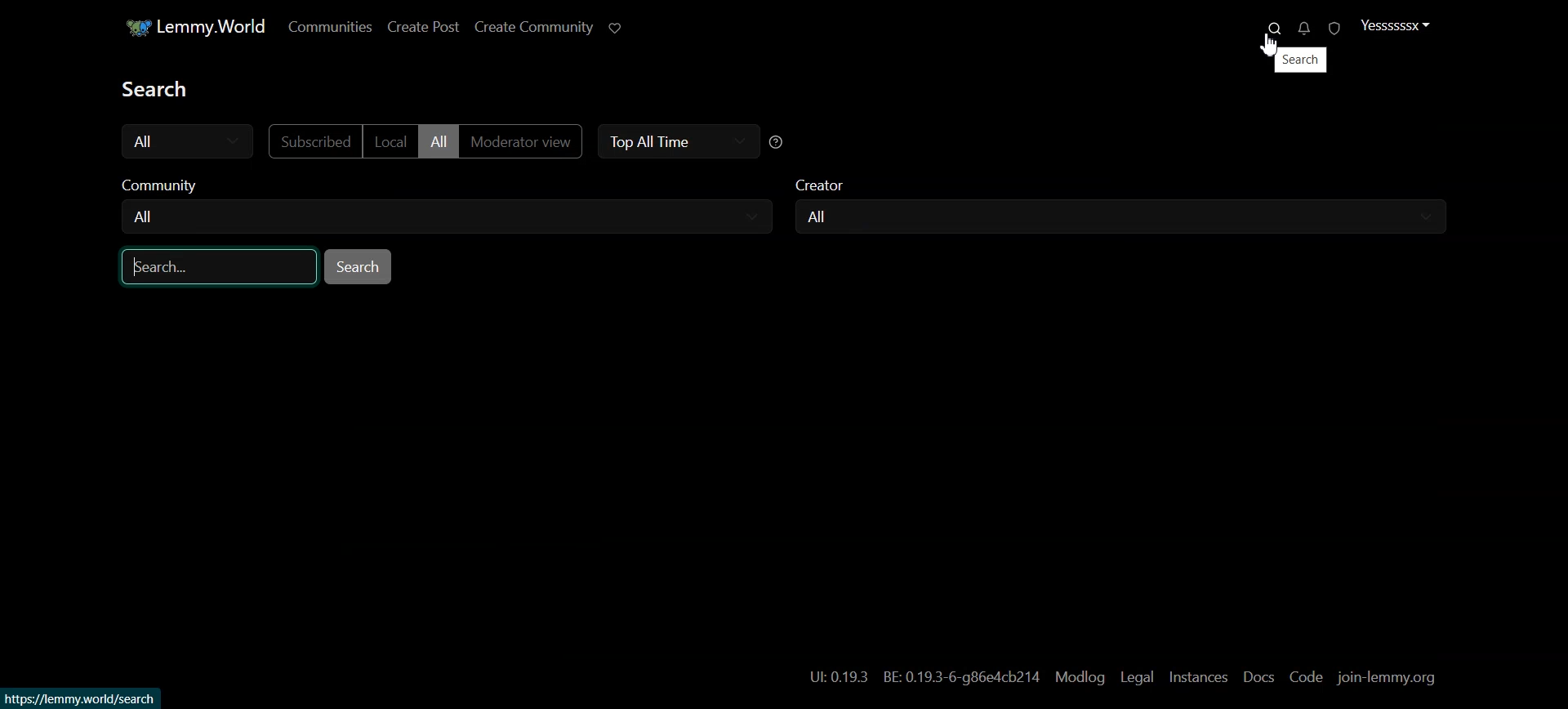 This screenshot has width=1568, height=709. Describe the element at coordinates (167, 185) in the screenshot. I see `community` at that location.